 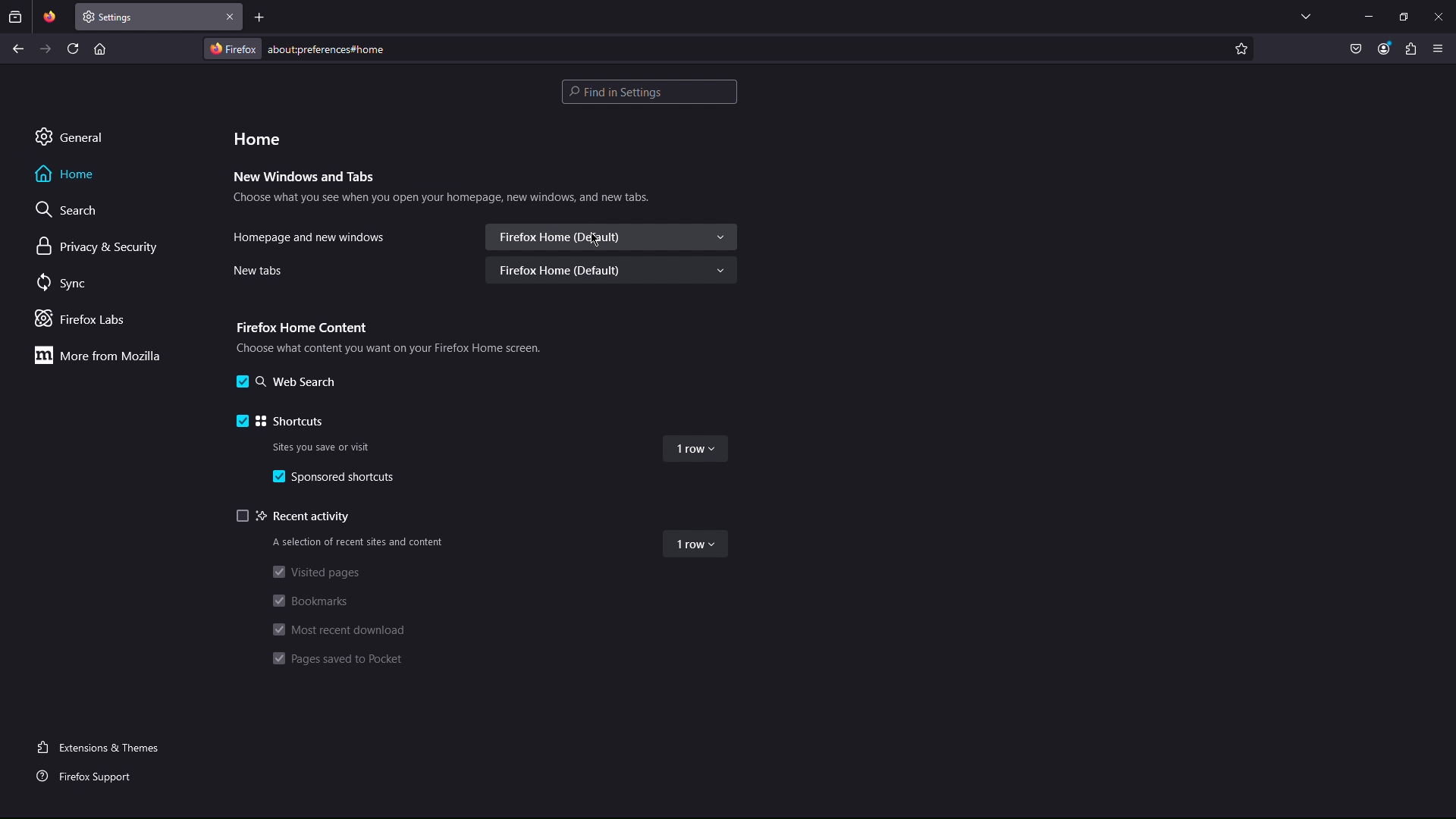 I want to click on Add new tab, so click(x=260, y=17).